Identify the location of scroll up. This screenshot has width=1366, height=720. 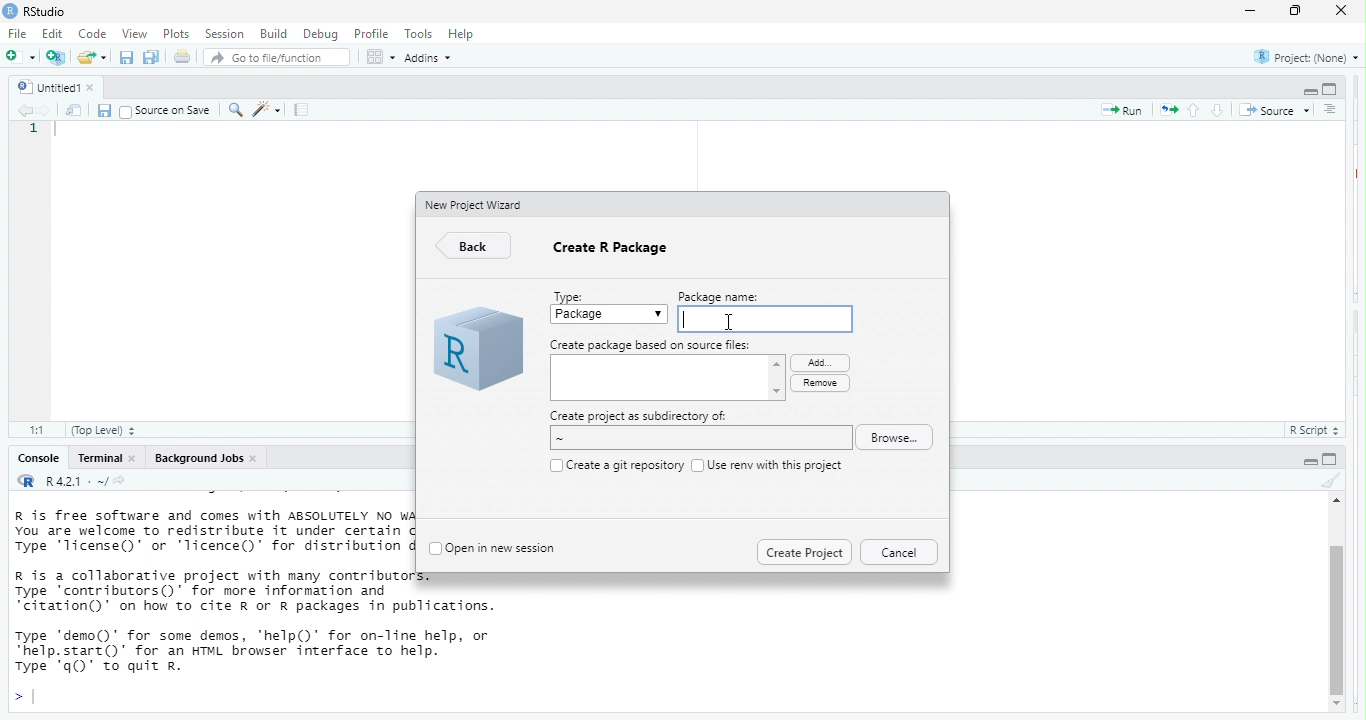
(1334, 503).